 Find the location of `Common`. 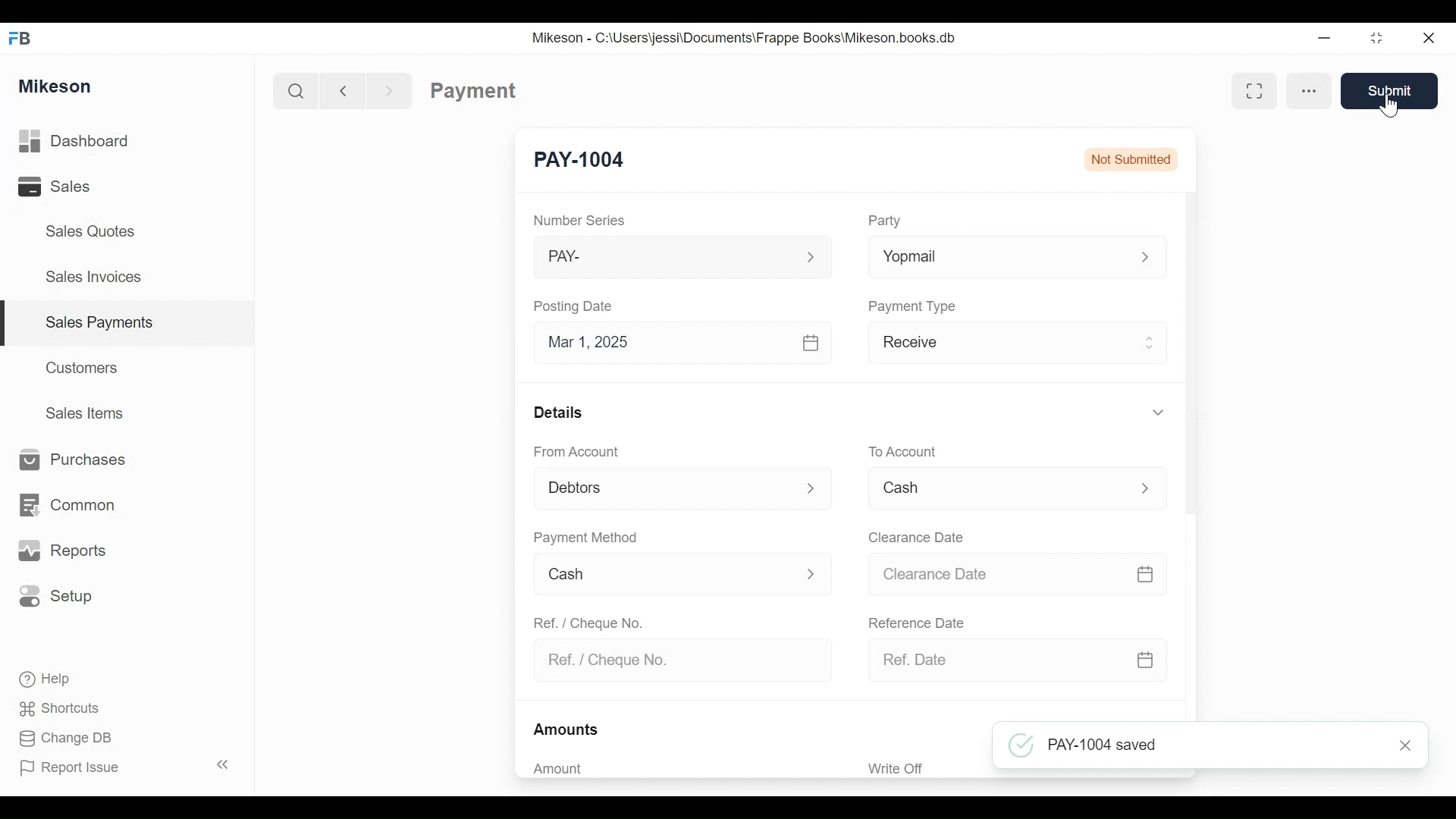

Common is located at coordinates (75, 497).